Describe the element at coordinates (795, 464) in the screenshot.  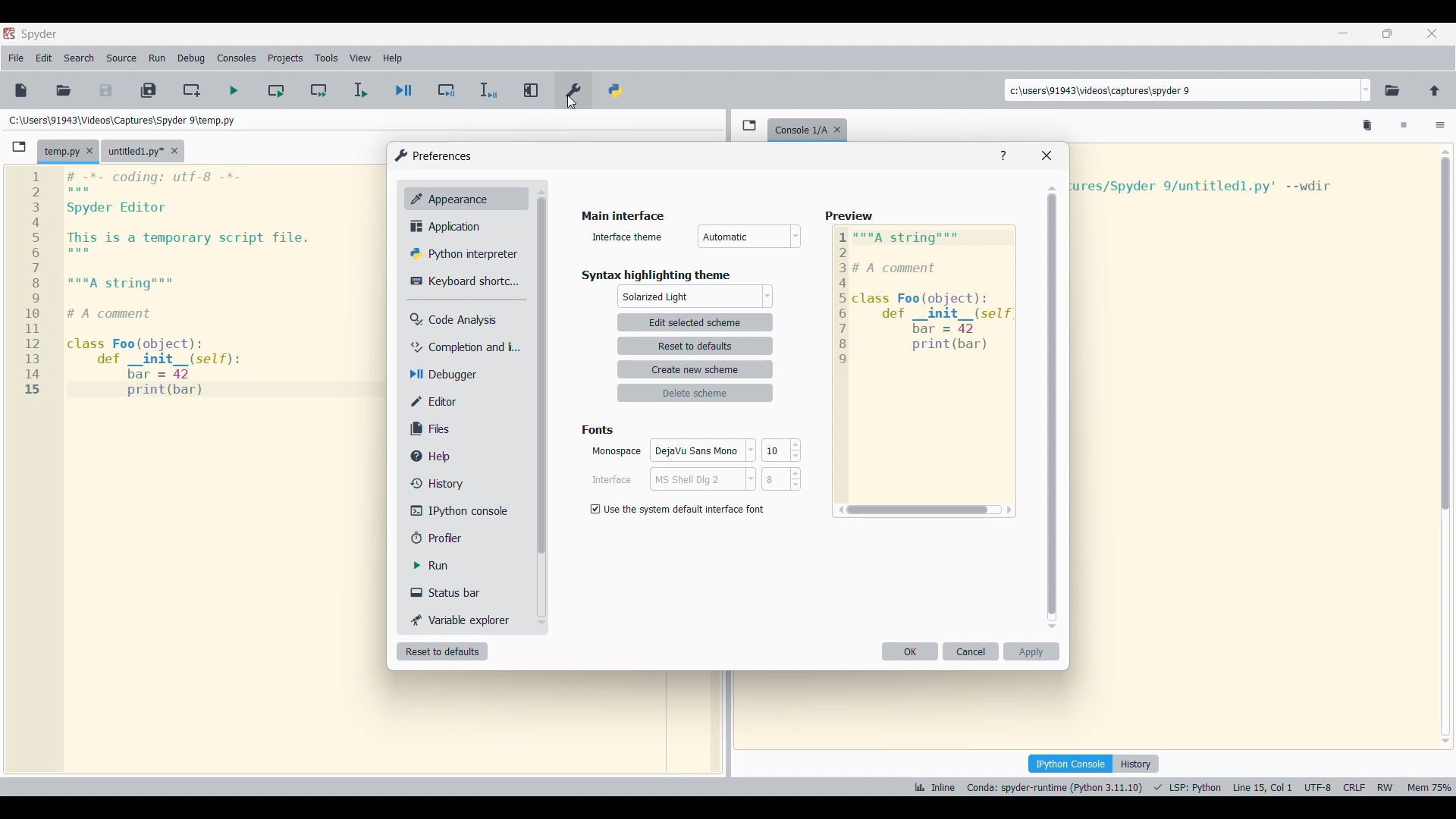
I see `Increase/Decrease fonts size` at that location.